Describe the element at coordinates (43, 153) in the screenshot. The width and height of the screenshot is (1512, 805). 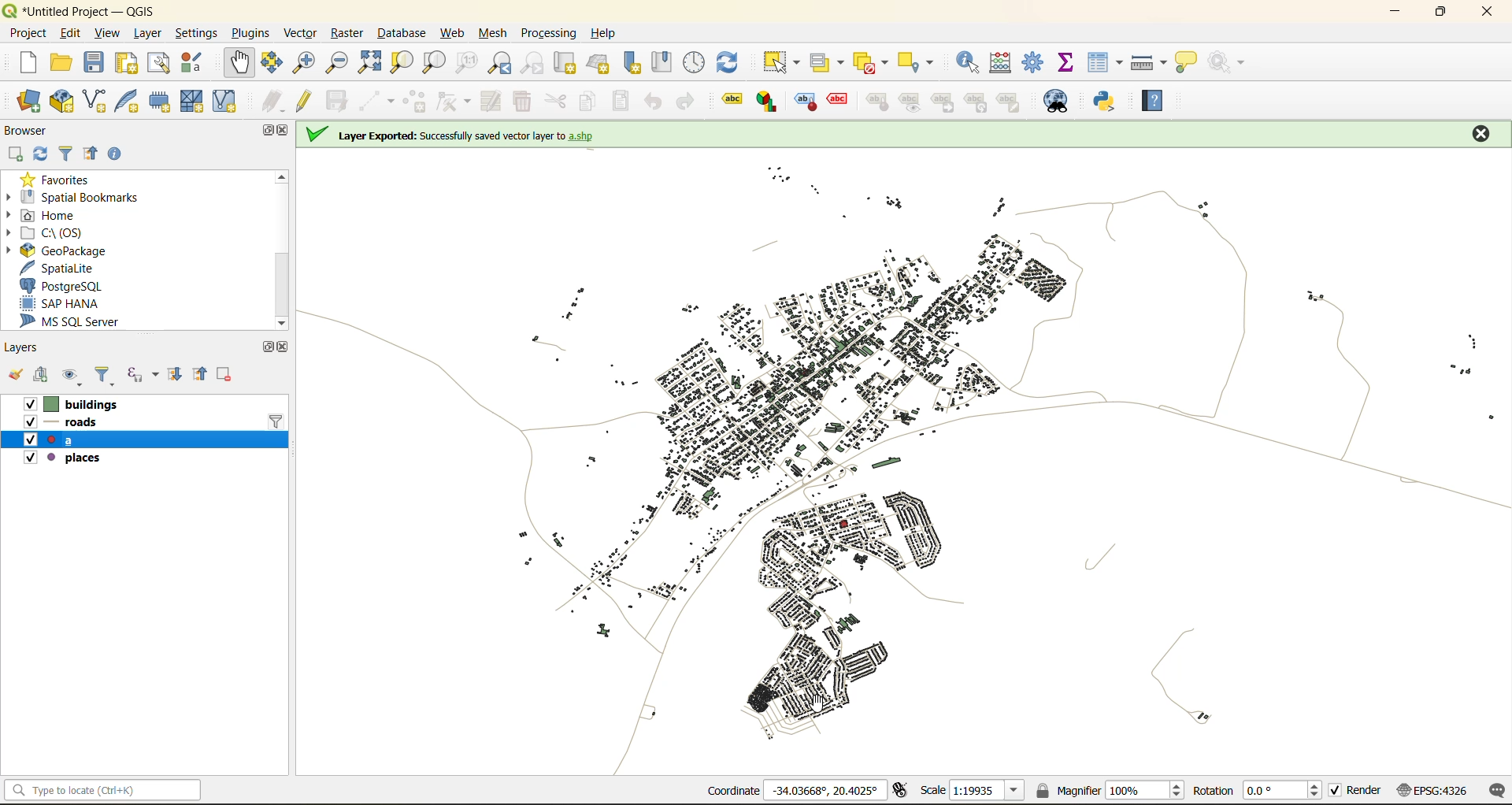
I see `refresh` at that location.